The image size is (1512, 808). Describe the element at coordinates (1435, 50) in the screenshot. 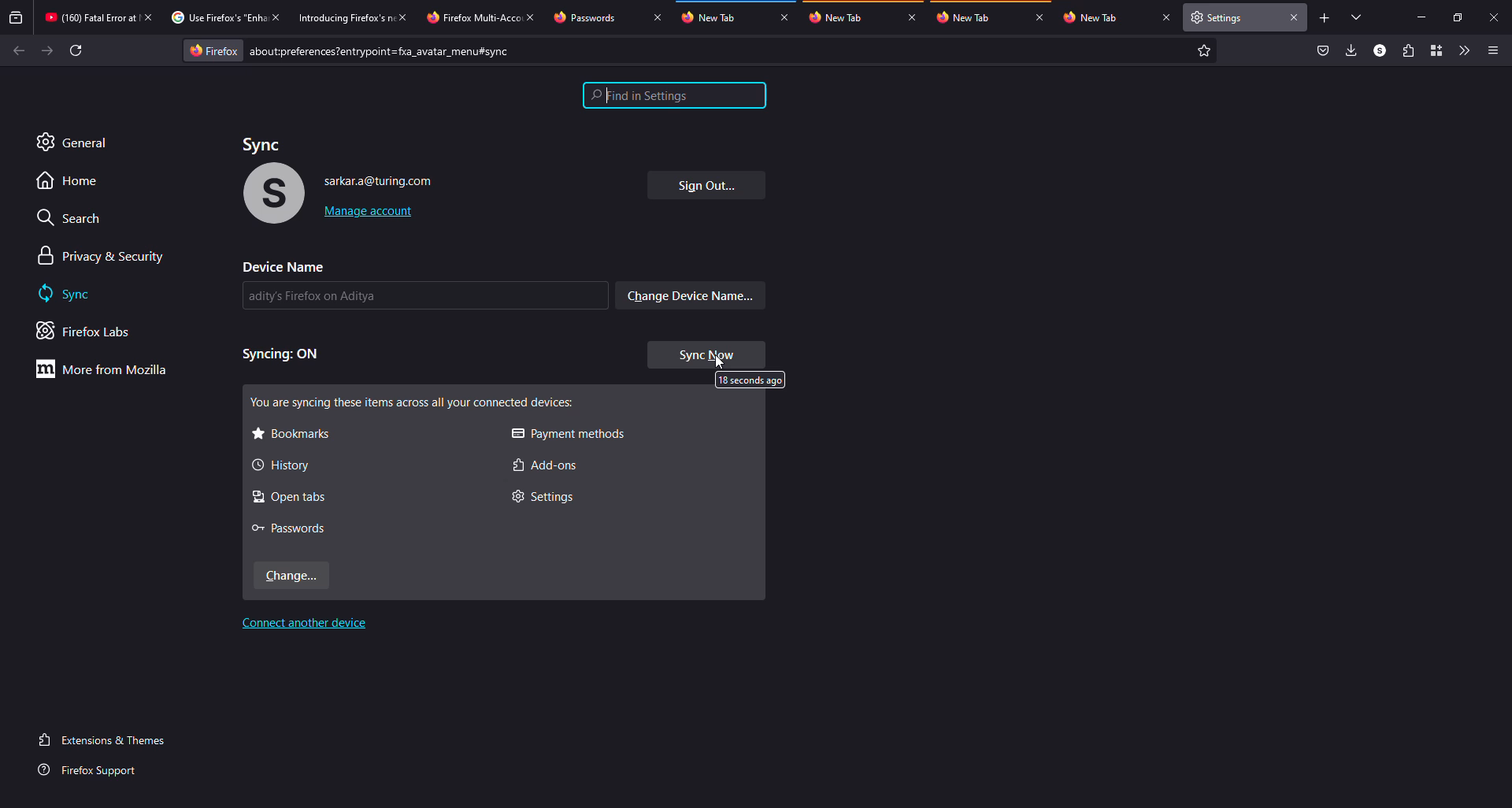

I see `container` at that location.